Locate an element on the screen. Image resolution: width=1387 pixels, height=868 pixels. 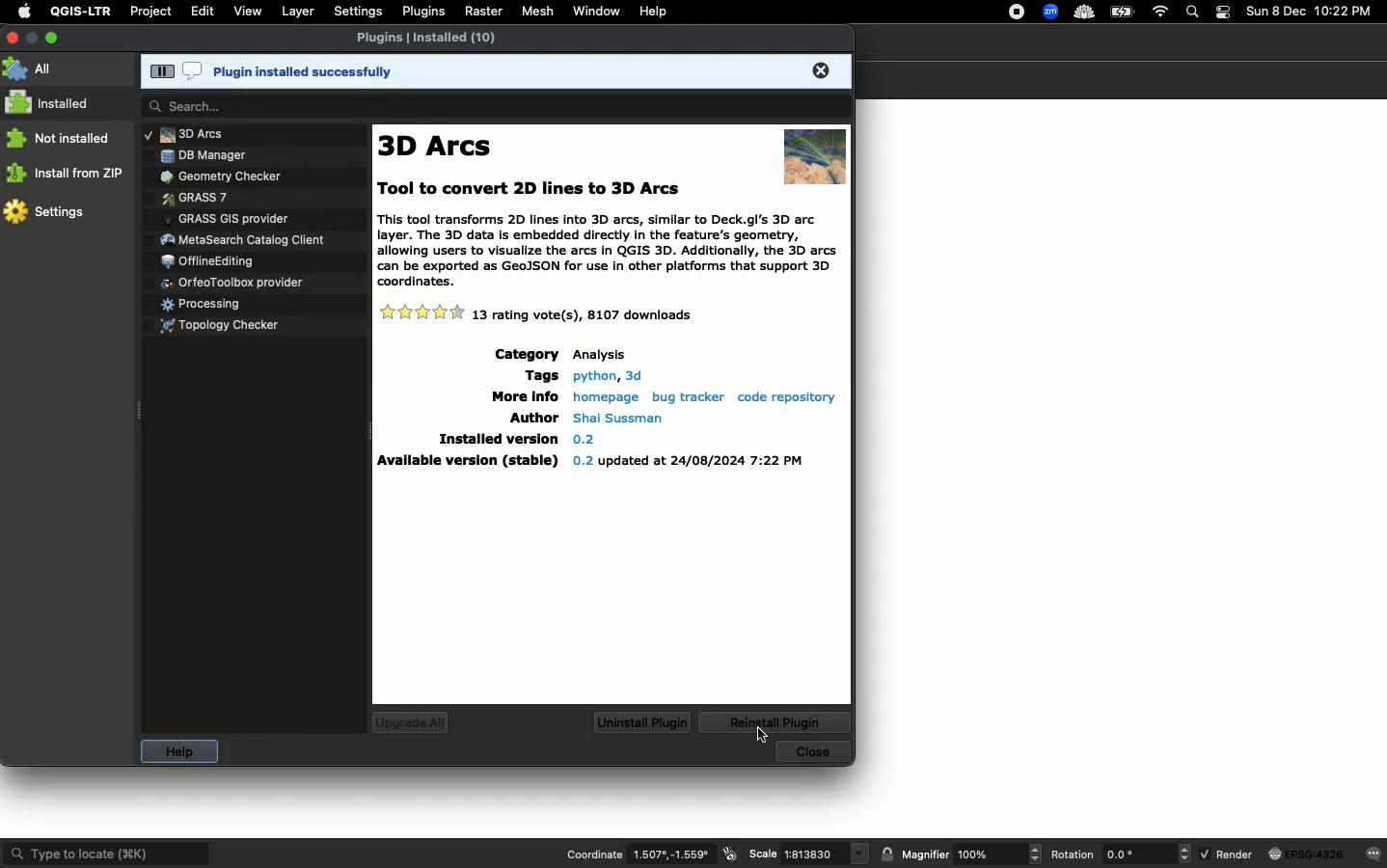
Plugins is located at coordinates (432, 41).